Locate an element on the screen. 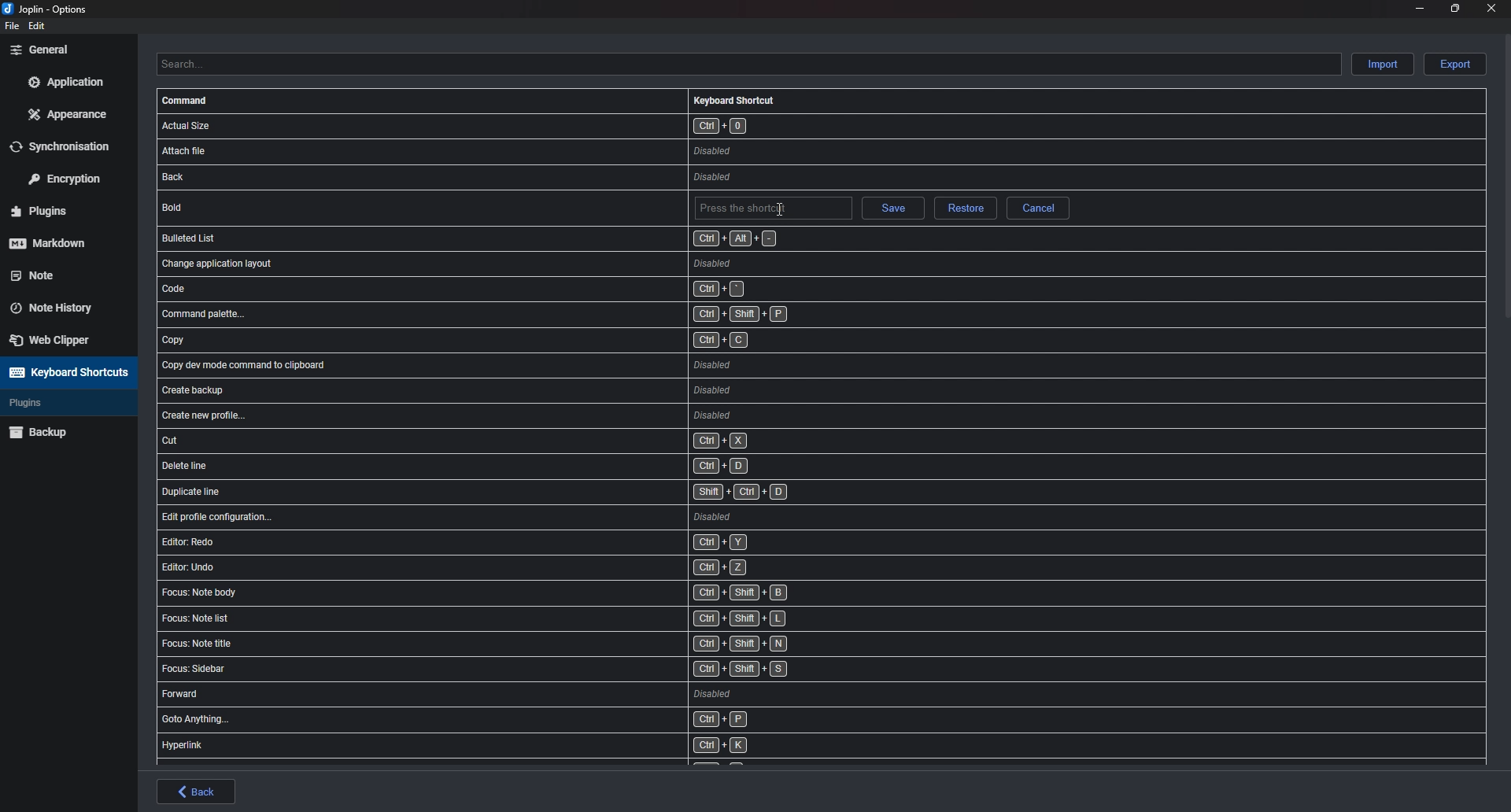 Image resolution: width=1511 pixels, height=812 pixels. cancel is located at coordinates (1038, 208).